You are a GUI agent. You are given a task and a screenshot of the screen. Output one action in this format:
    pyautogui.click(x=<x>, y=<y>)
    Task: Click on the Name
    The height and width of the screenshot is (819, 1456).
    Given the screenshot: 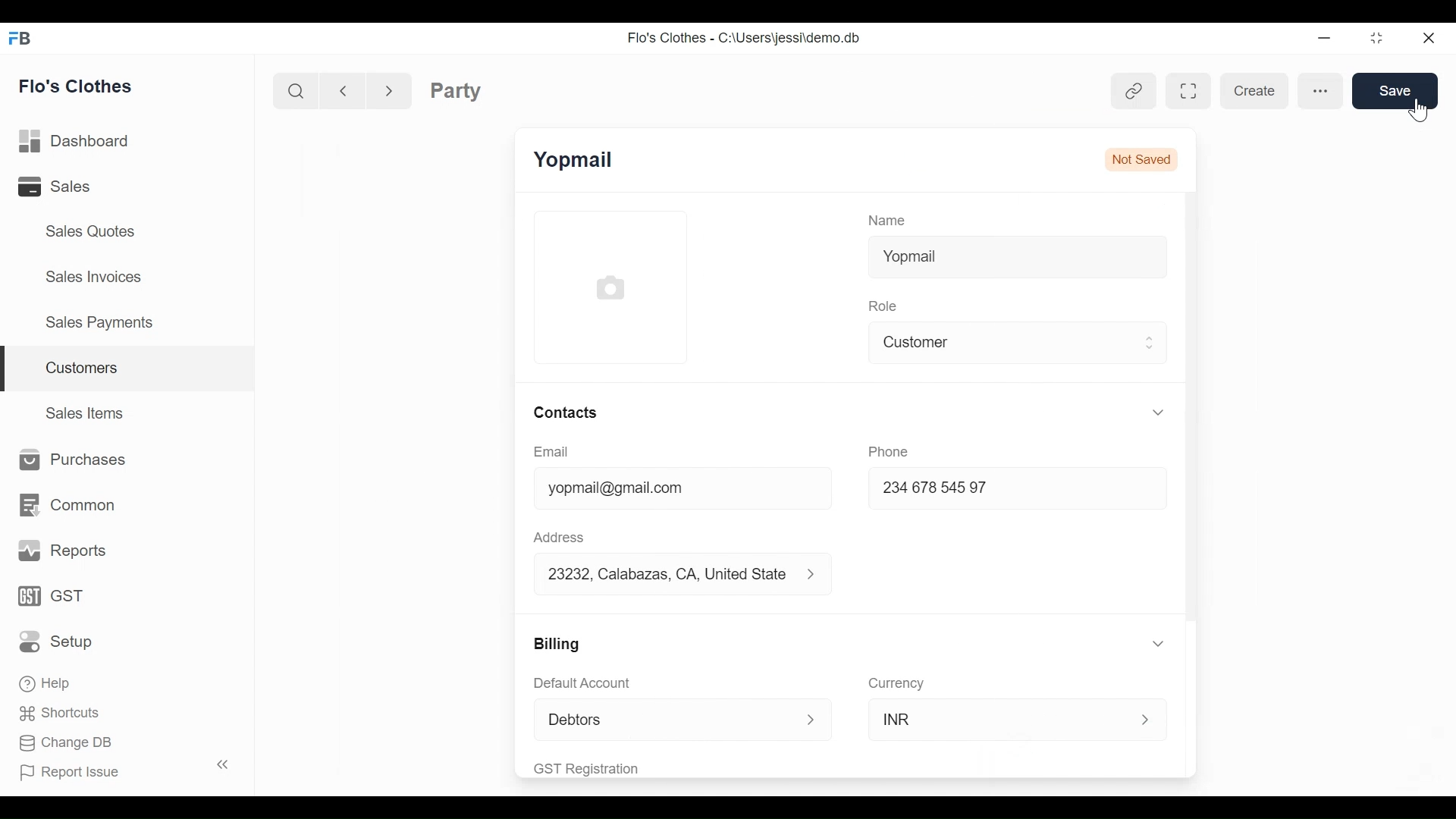 What is the action you would take?
    pyautogui.click(x=890, y=221)
    